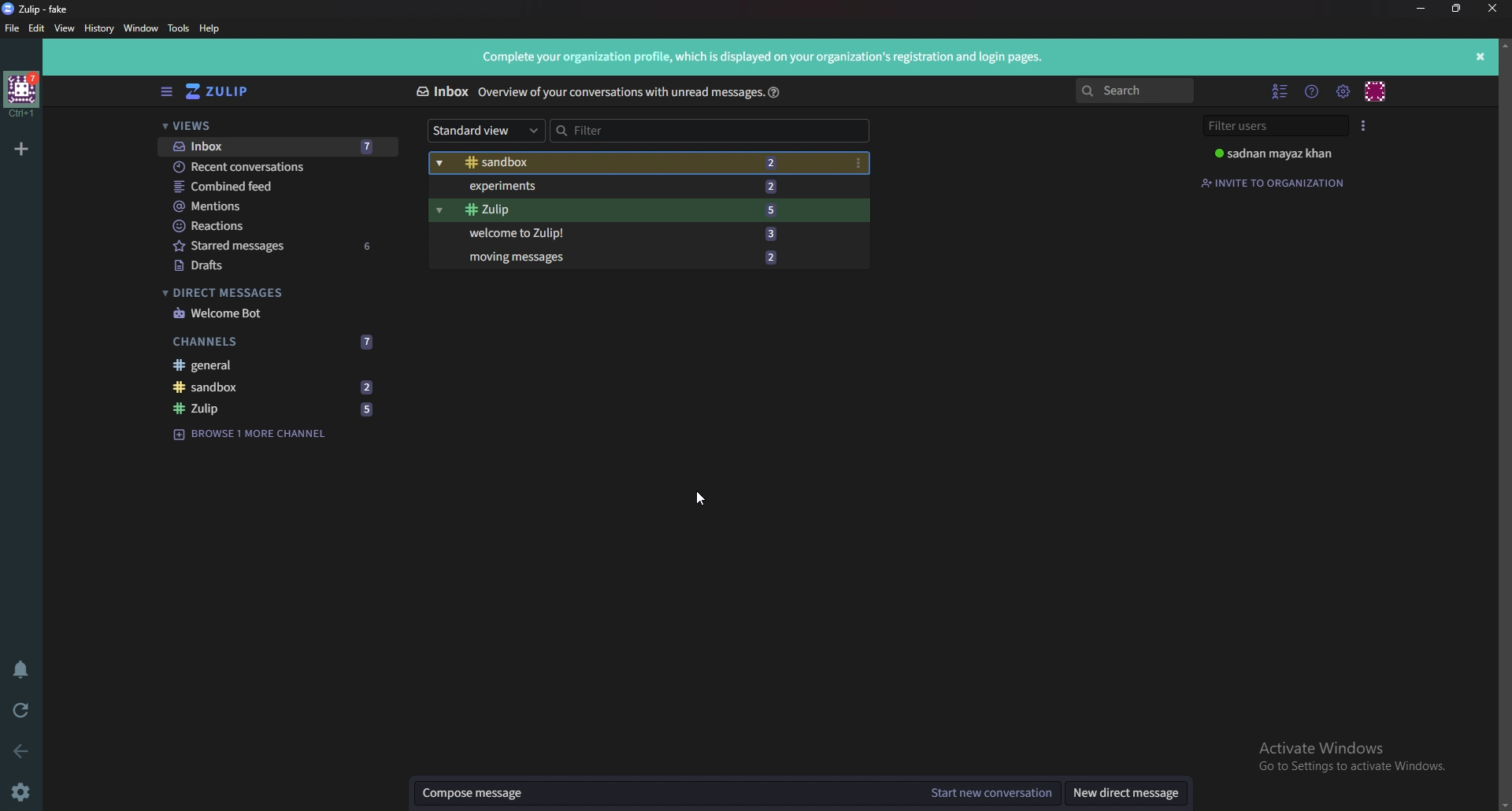  Describe the element at coordinates (614, 92) in the screenshot. I see `Overview of your conversations with unread messages` at that location.